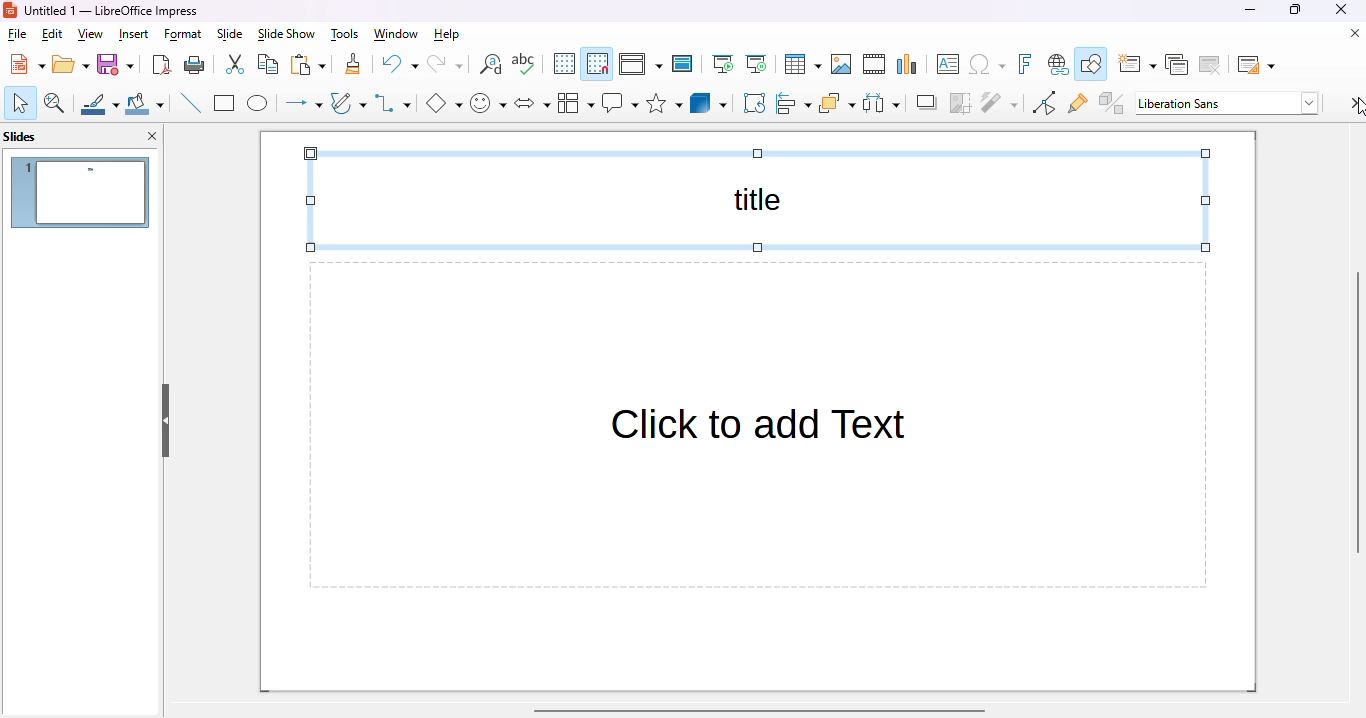  What do you see at coordinates (353, 64) in the screenshot?
I see `clone formatting` at bounding box center [353, 64].